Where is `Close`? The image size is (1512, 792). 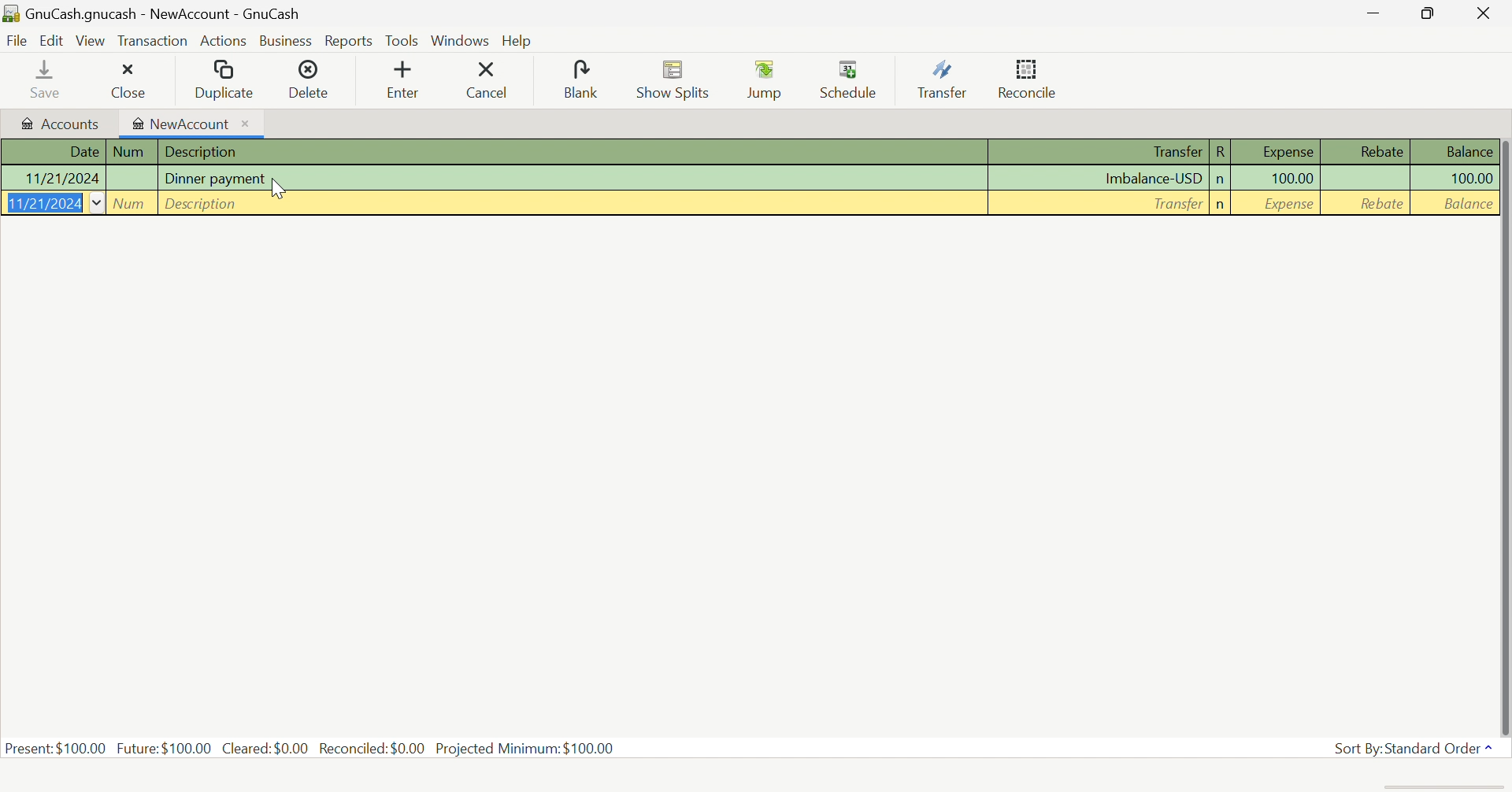
Close is located at coordinates (1481, 15).